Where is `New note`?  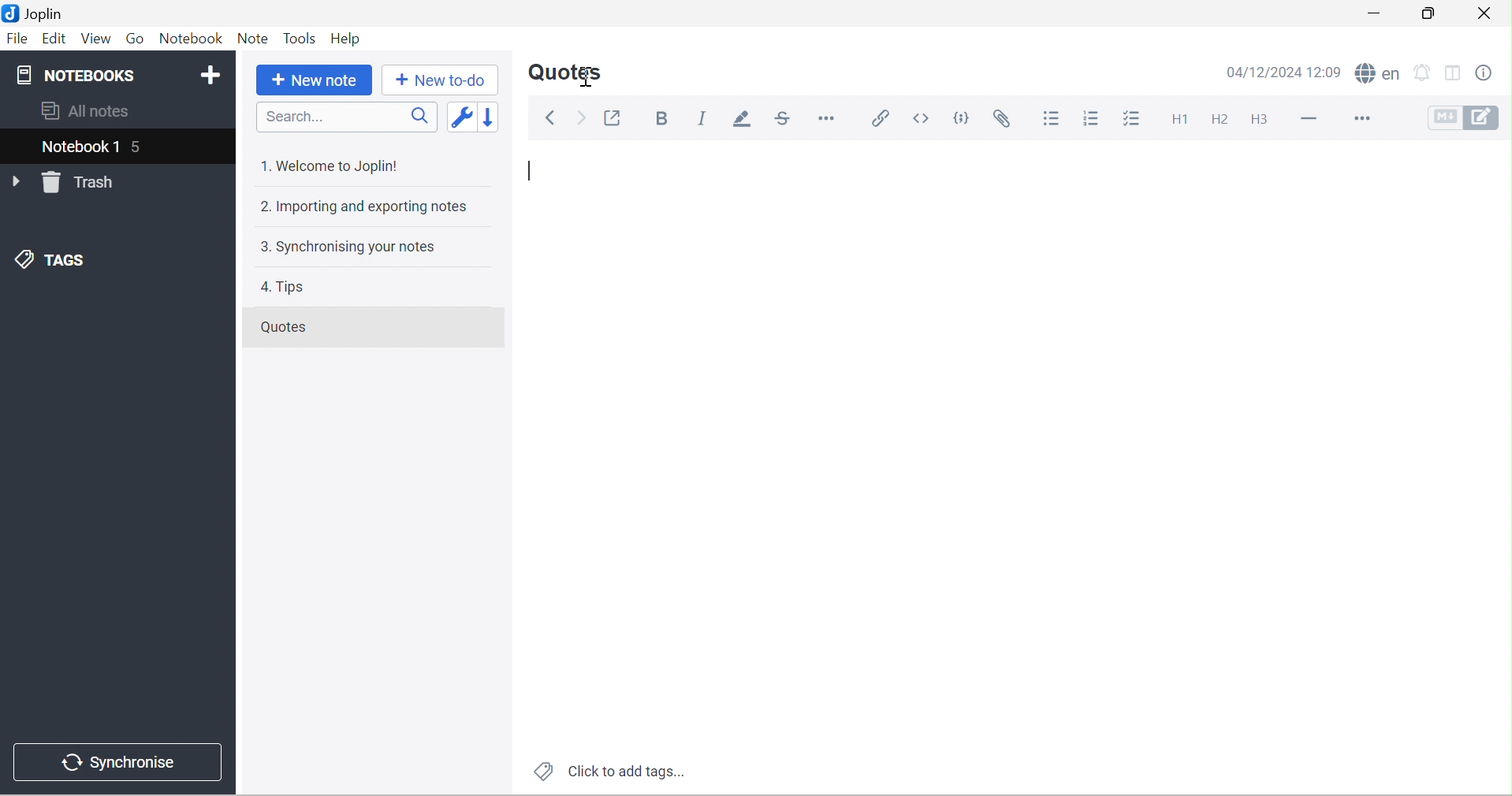 New note is located at coordinates (316, 81).